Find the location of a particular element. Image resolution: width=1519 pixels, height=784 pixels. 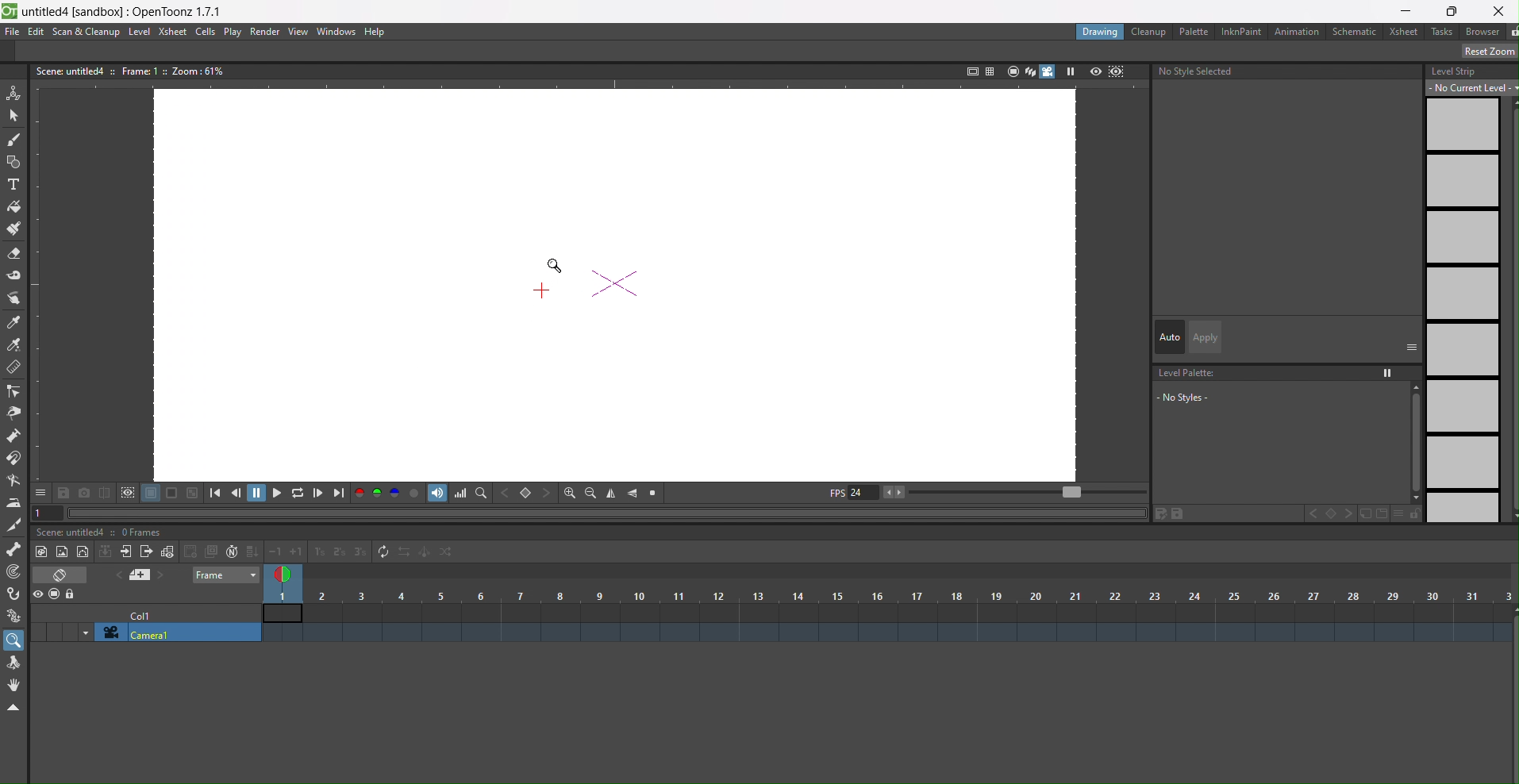

geometric tool is located at coordinates (14, 162).